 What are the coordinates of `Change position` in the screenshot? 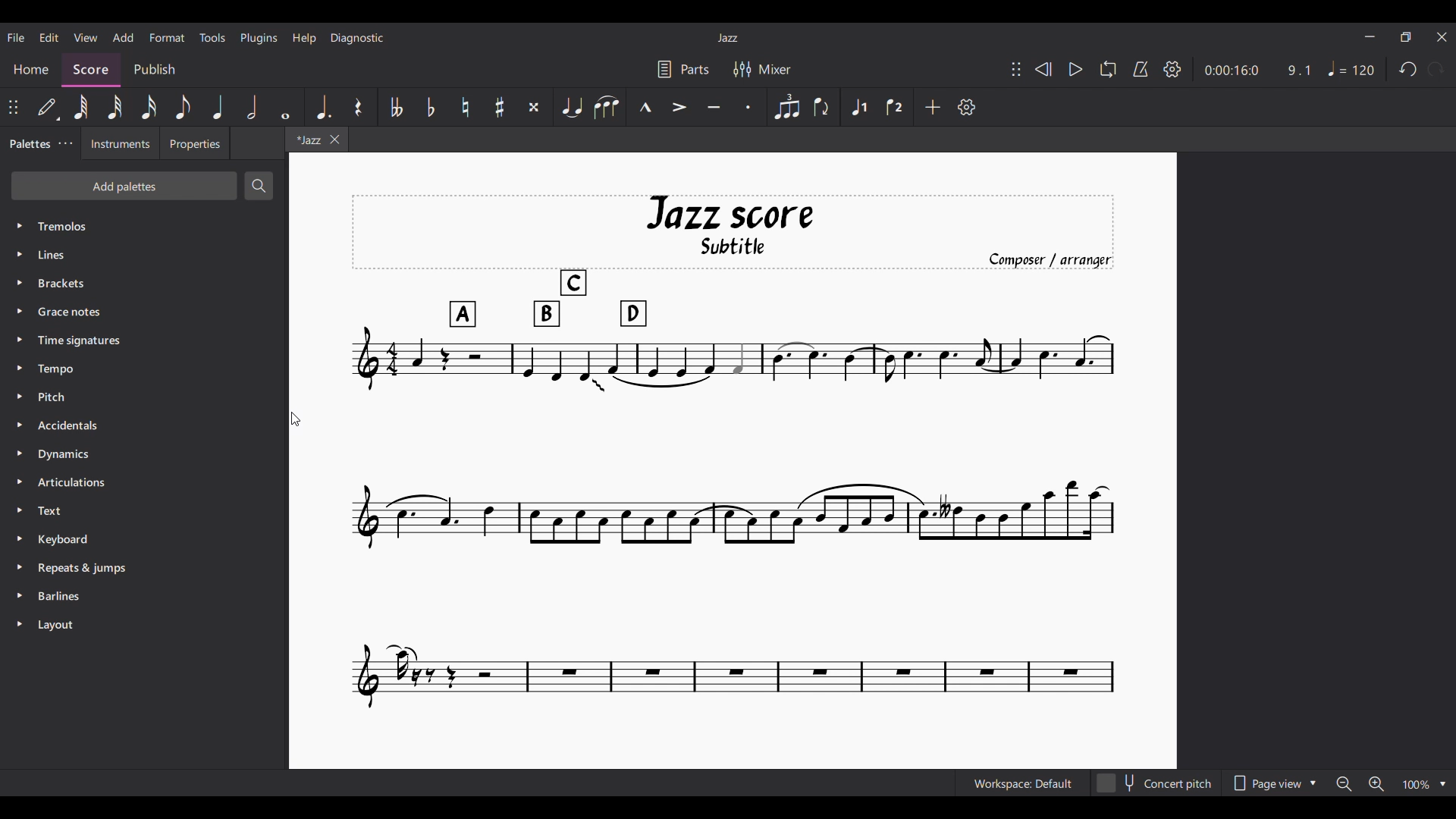 It's located at (13, 107).